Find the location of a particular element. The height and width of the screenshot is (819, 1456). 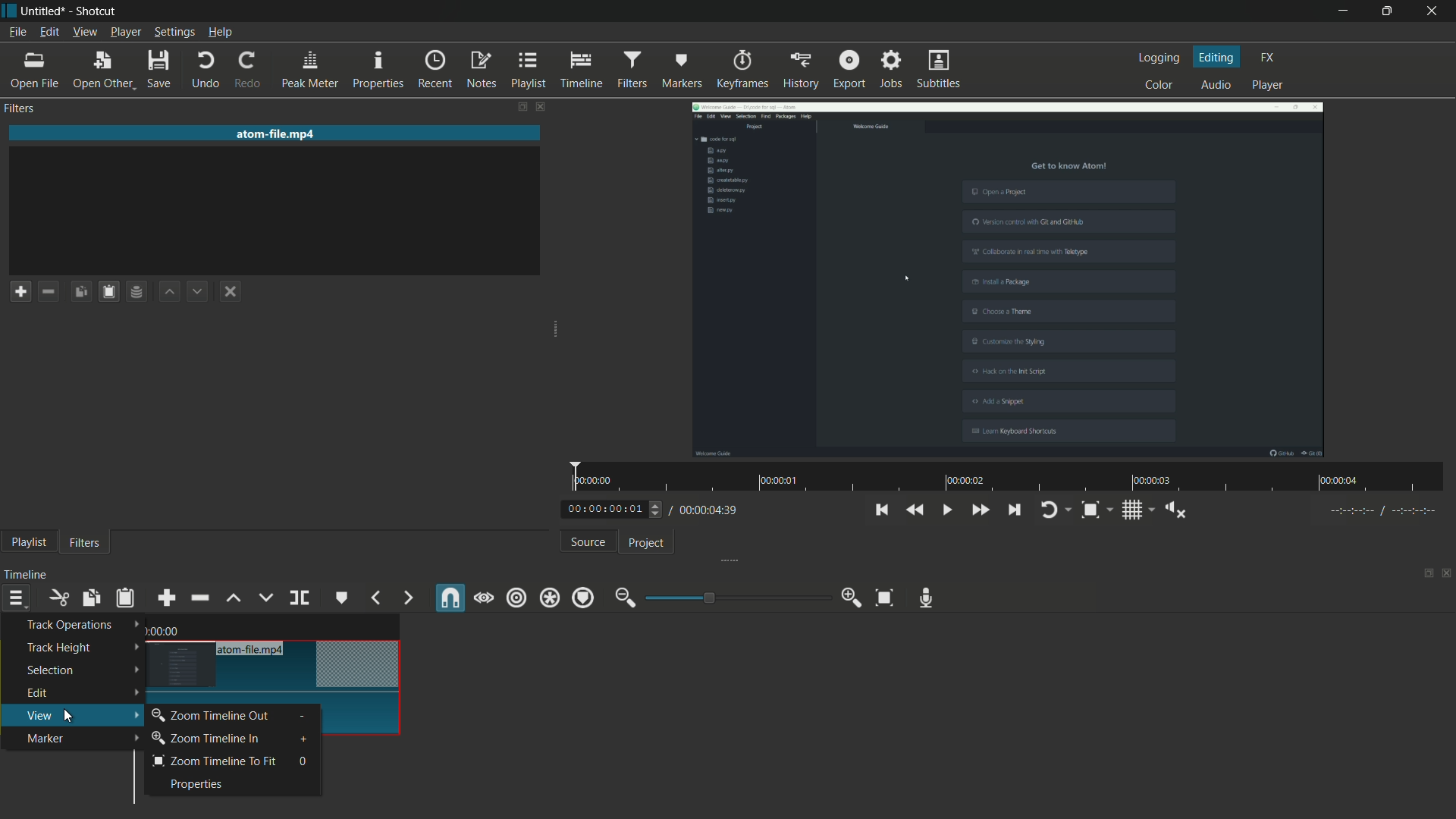

in point is located at coordinates (1384, 511).